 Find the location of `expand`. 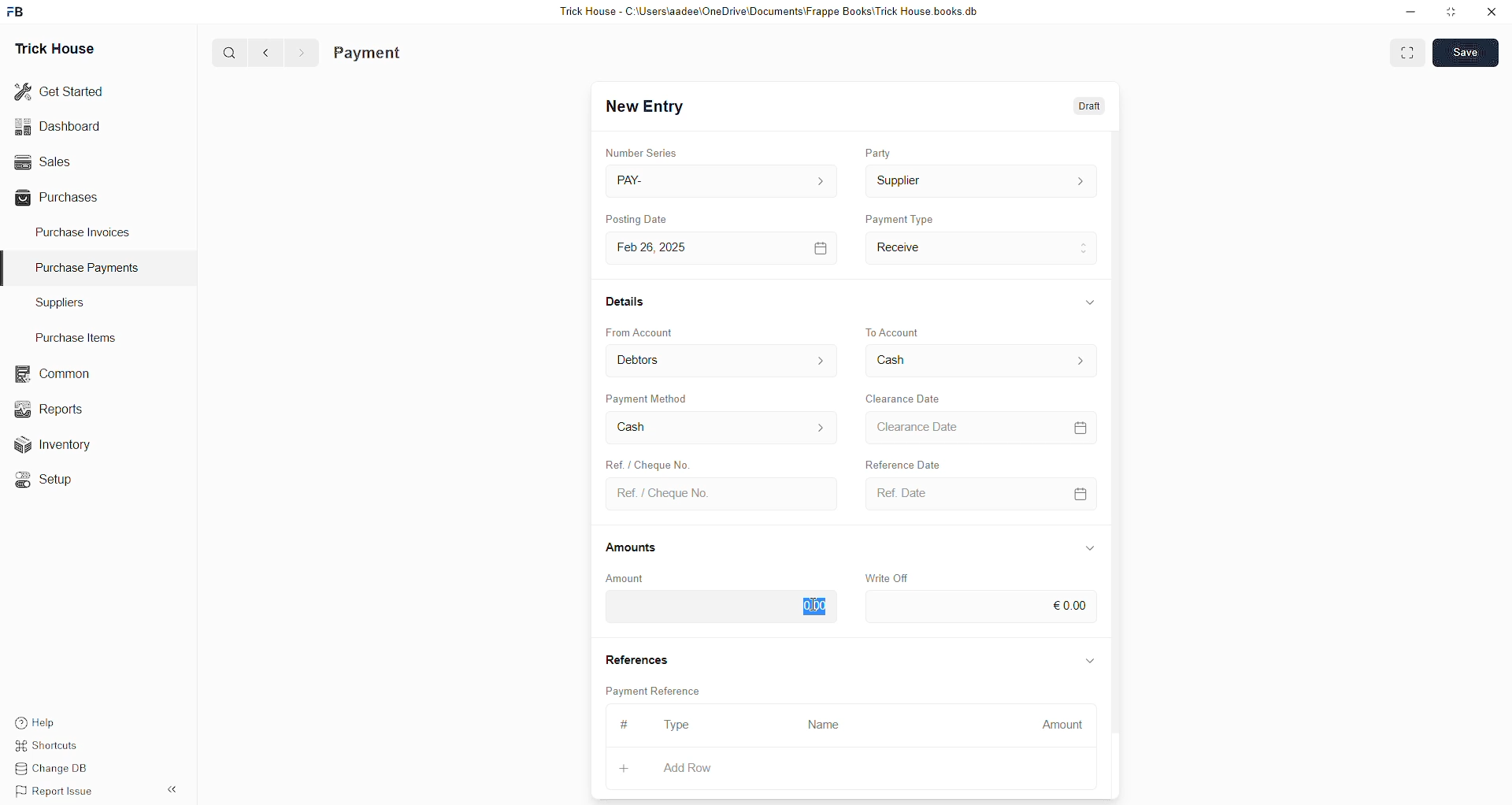

expand is located at coordinates (1087, 301).